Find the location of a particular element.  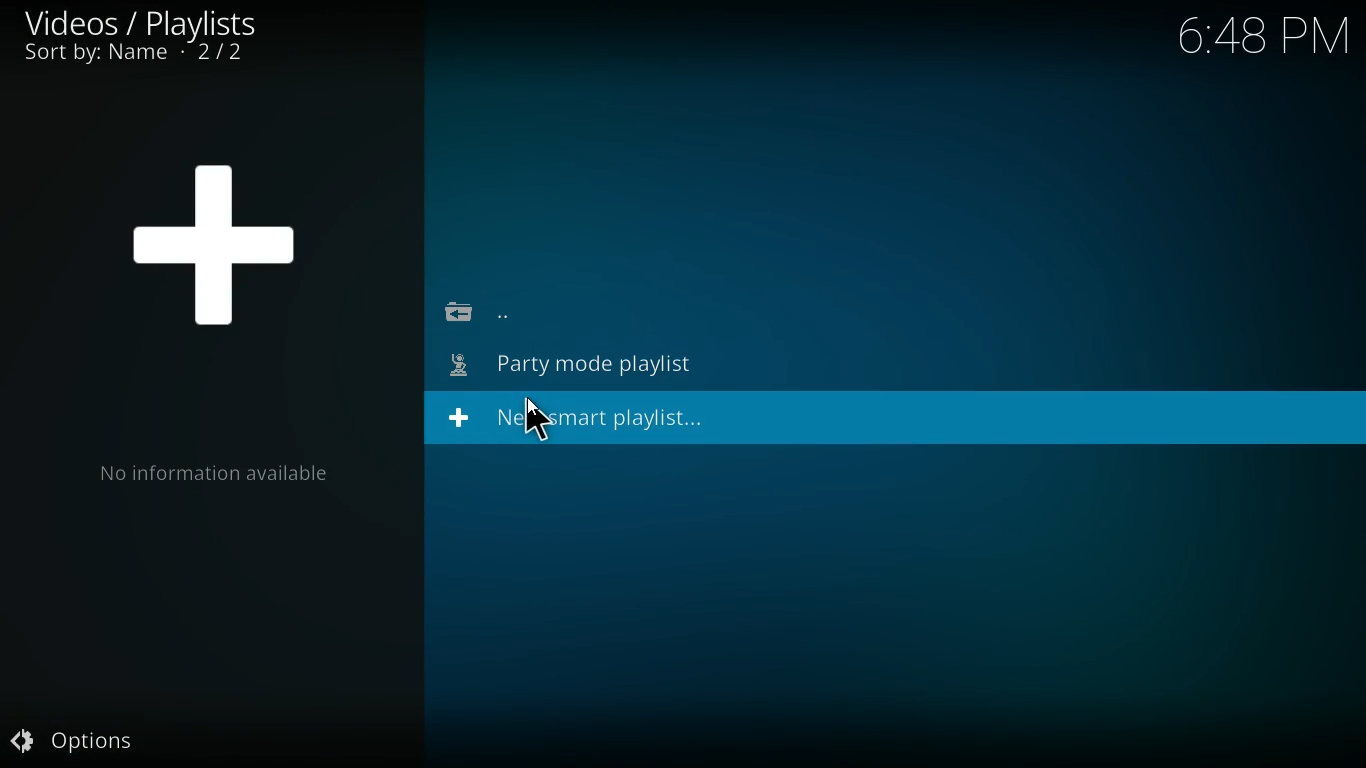

sort by name is located at coordinates (145, 55).